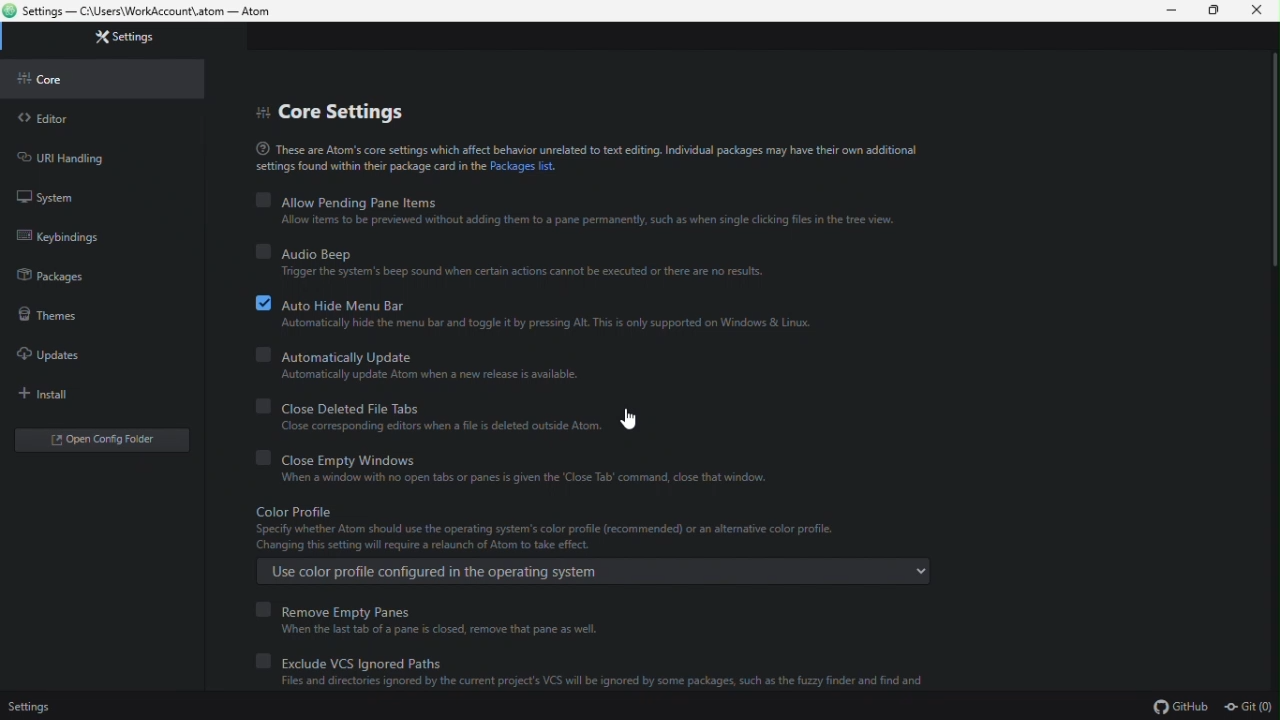  I want to click on Allow items to be previewed without adding them to a pane permanently, such as when single clicking files in the tree view., so click(585, 221).